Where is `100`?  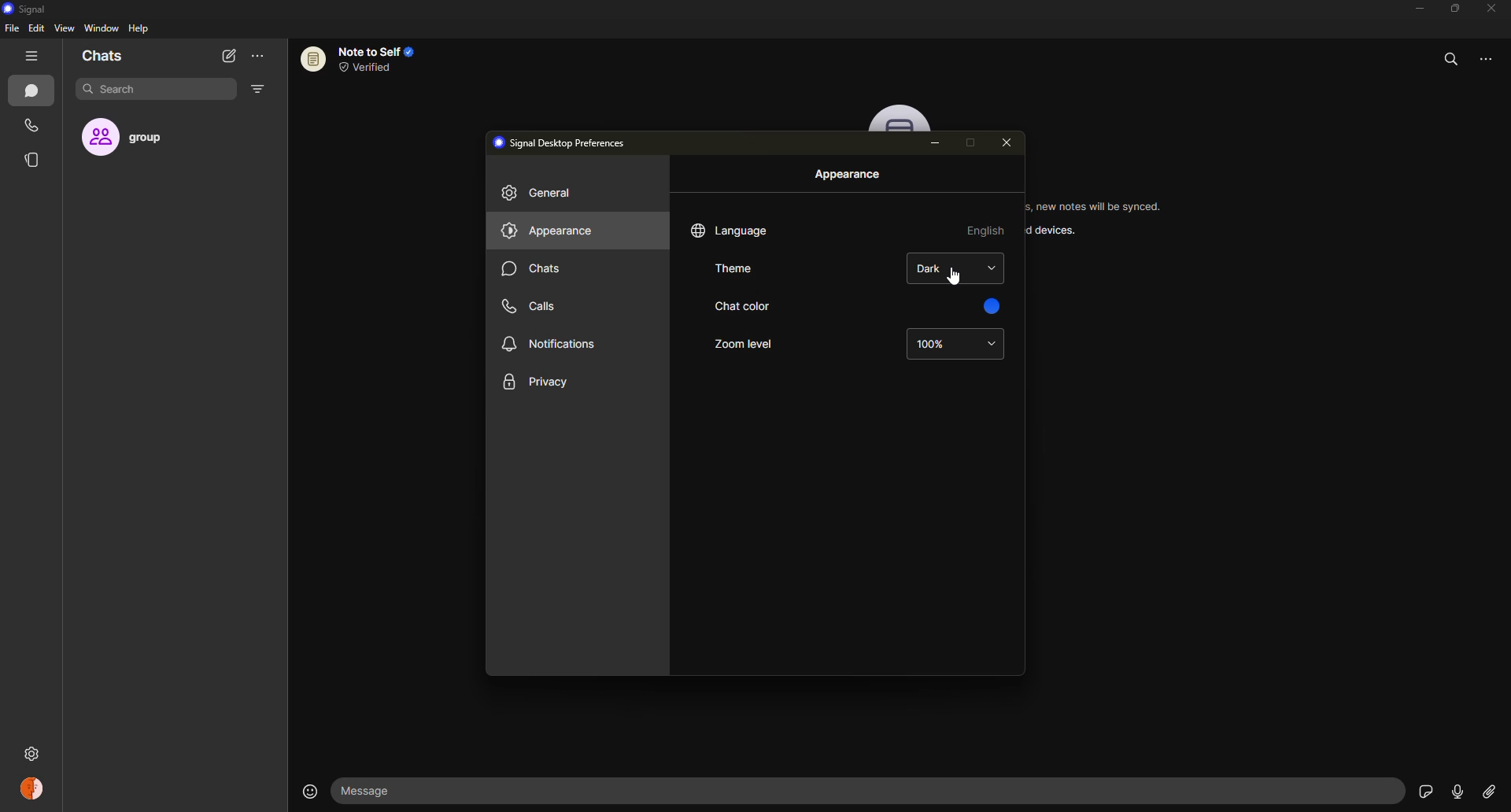 100 is located at coordinates (931, 343).